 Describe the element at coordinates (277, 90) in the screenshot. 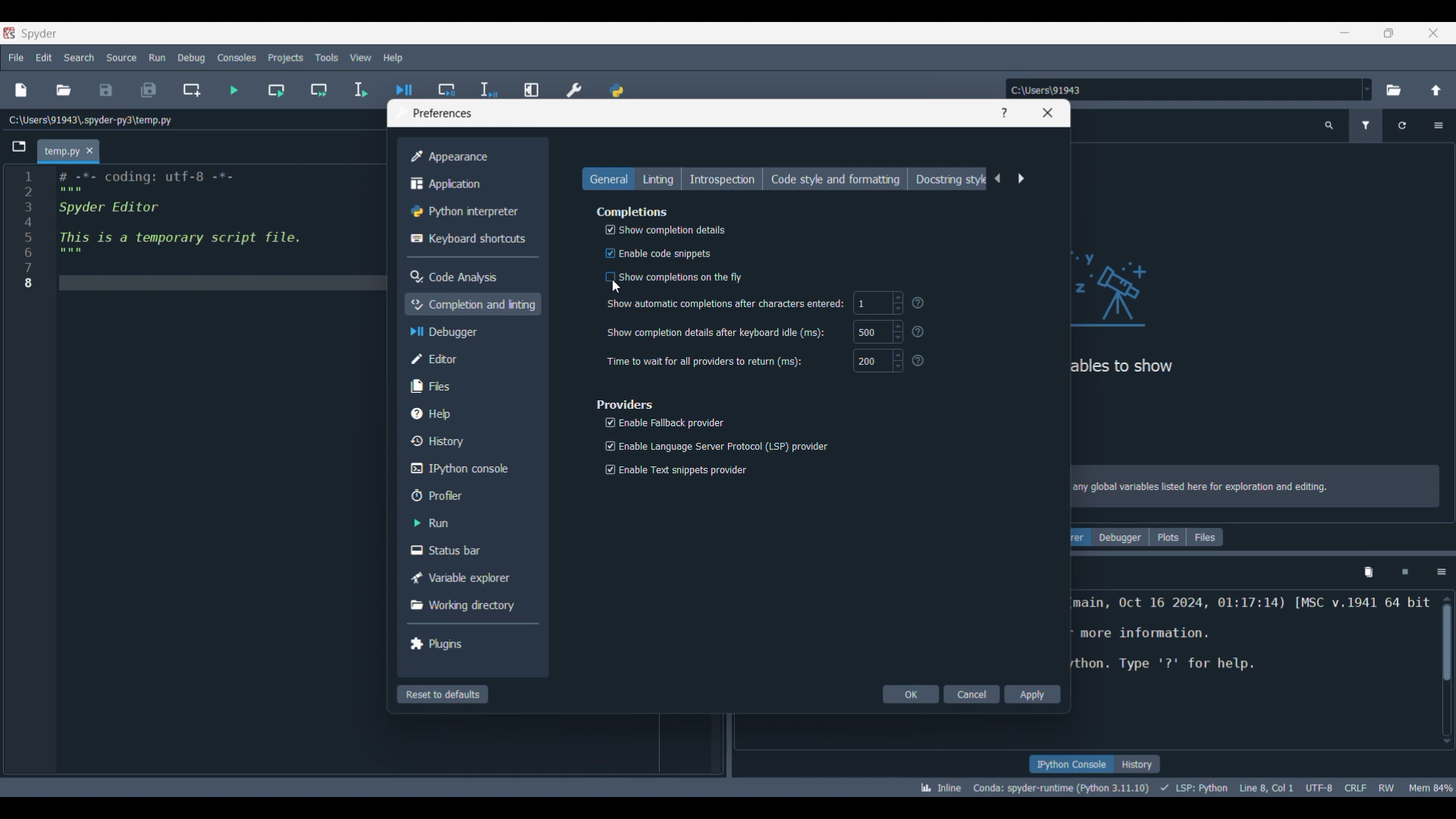

I see `Run current cell` at that location.